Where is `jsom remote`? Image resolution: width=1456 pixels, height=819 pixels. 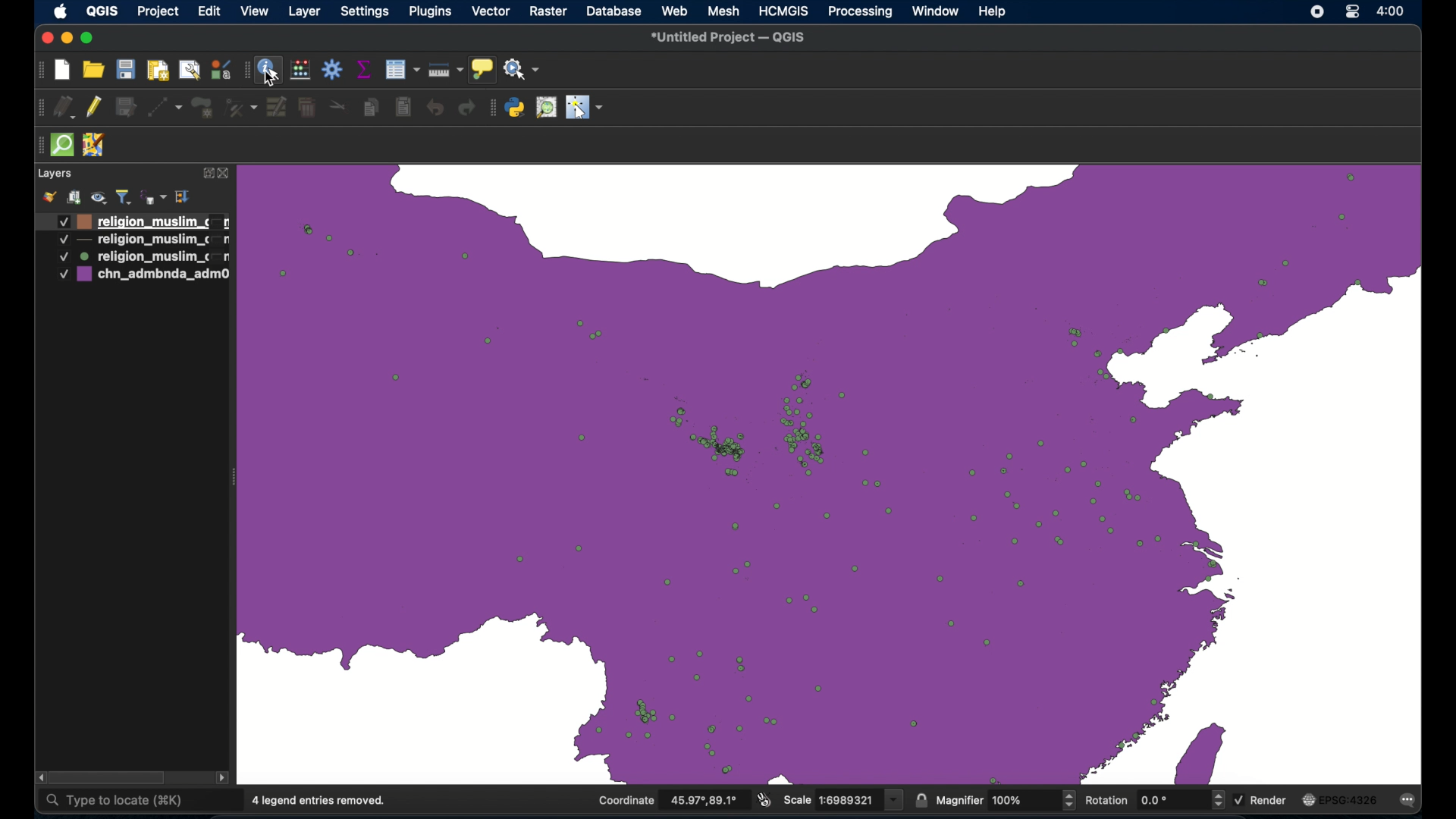
jsom remote is located at coordinates (96, 146).